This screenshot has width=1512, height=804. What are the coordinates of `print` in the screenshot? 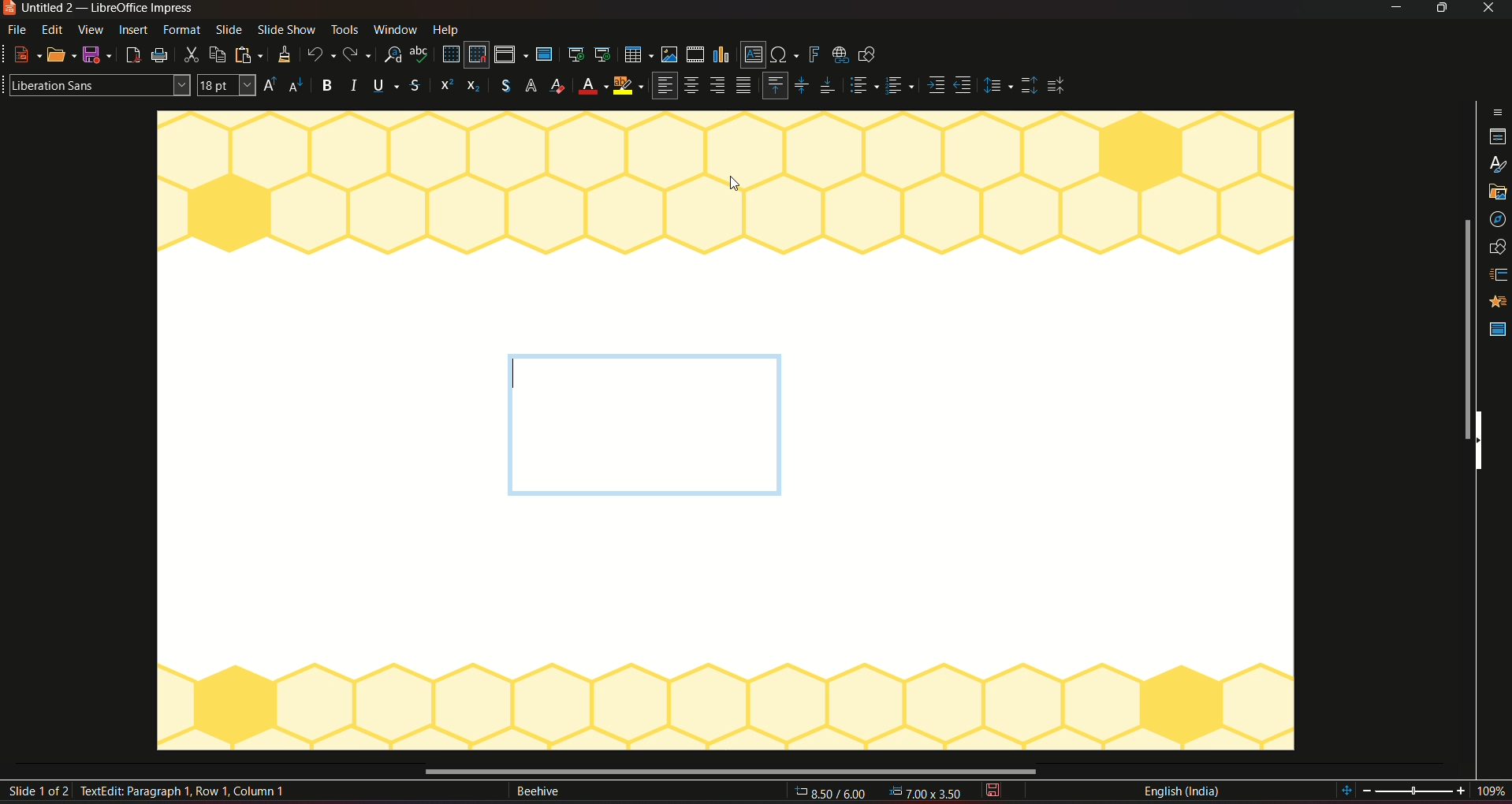 It's located at (162, 56).